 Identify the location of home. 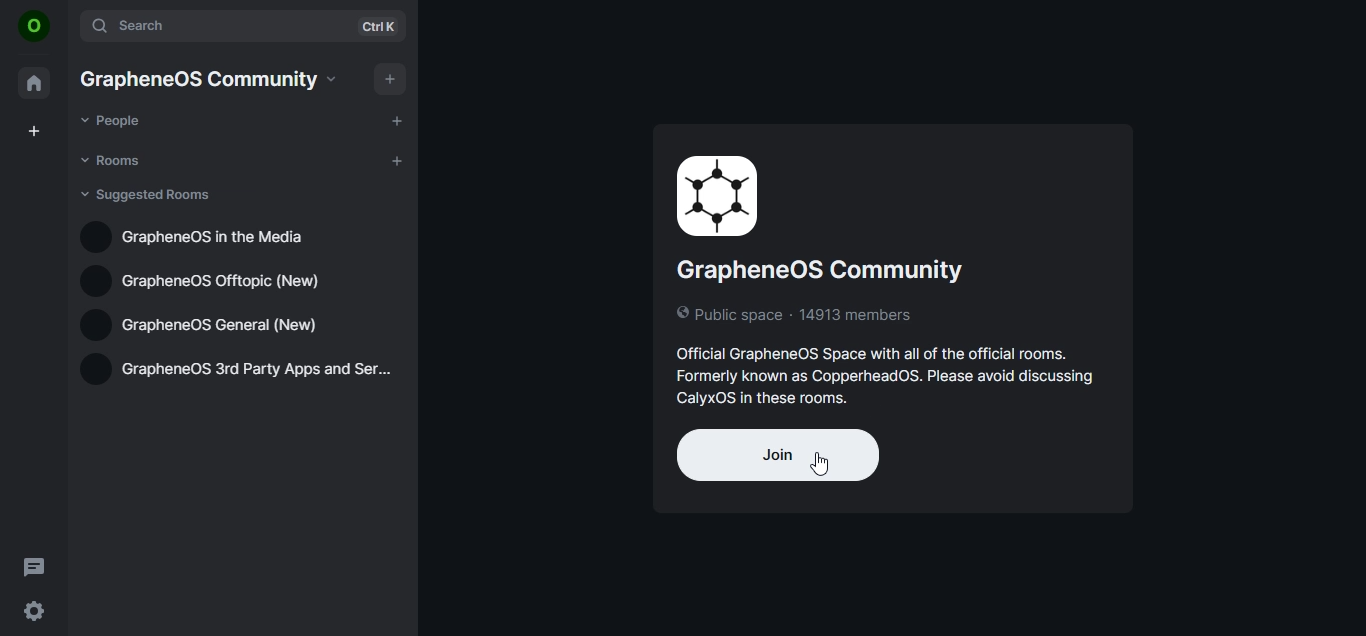
(35, 83).